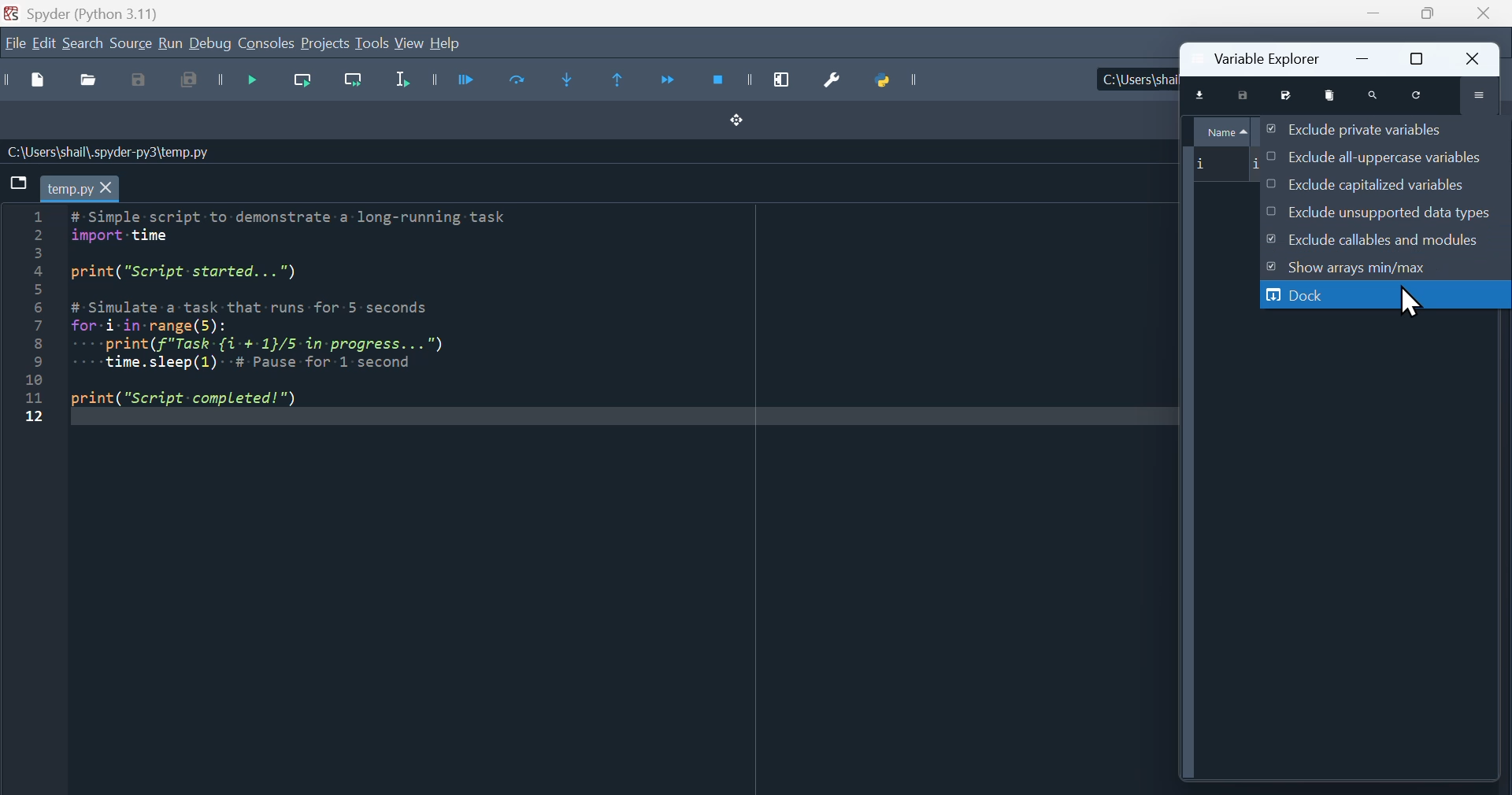 This screenshot has width=1512, height=795. I want to click on remove all variables, so click(1332, 94).